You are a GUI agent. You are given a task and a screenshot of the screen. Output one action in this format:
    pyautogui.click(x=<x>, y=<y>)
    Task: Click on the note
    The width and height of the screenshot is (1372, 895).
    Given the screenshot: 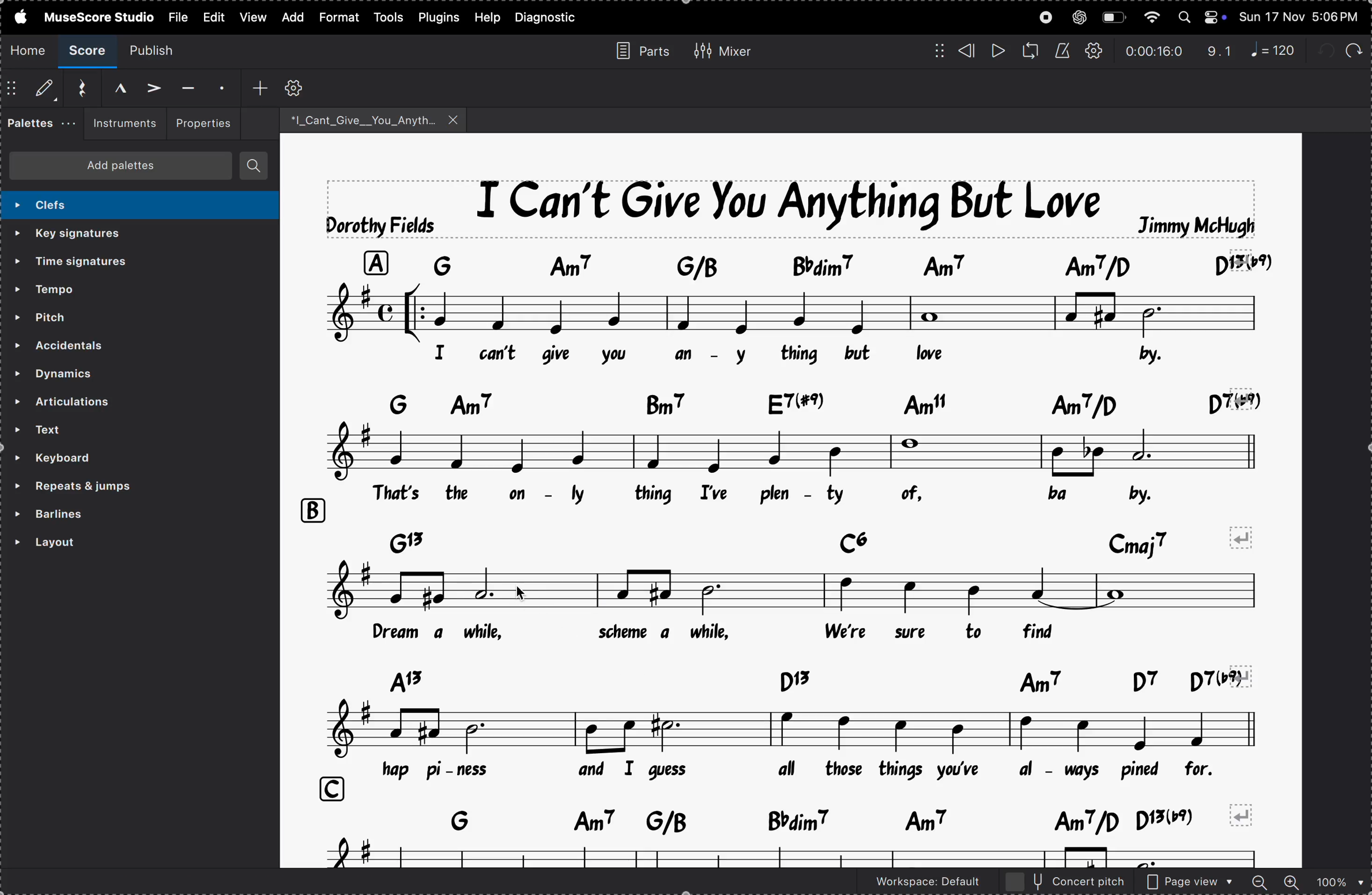 What is the action you would take?
    pyautogui.click(x=1278, y=50)
    